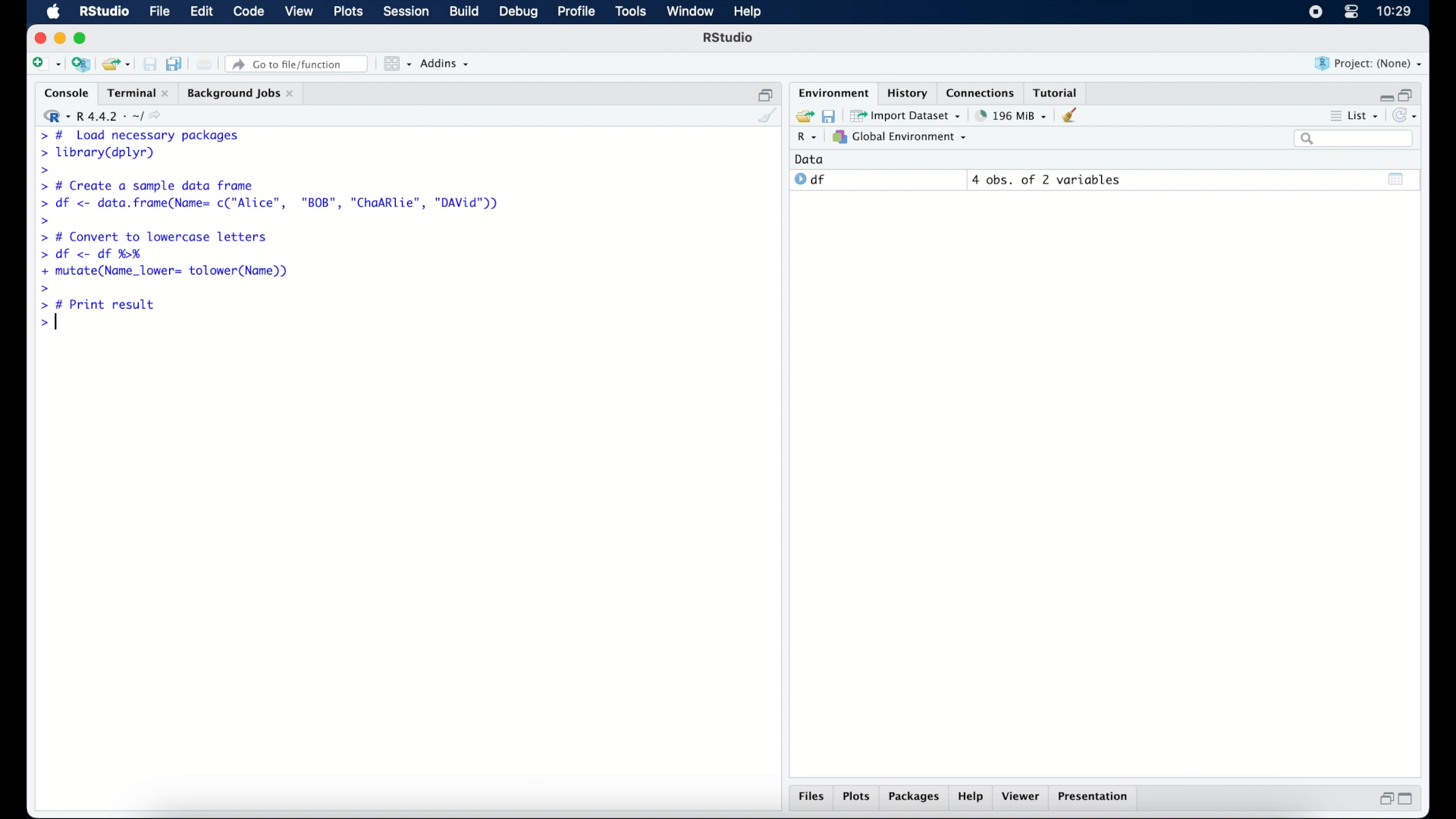 The width and height of the screenshot is (1456, 819). I want to click on list, so click(1353, 118).